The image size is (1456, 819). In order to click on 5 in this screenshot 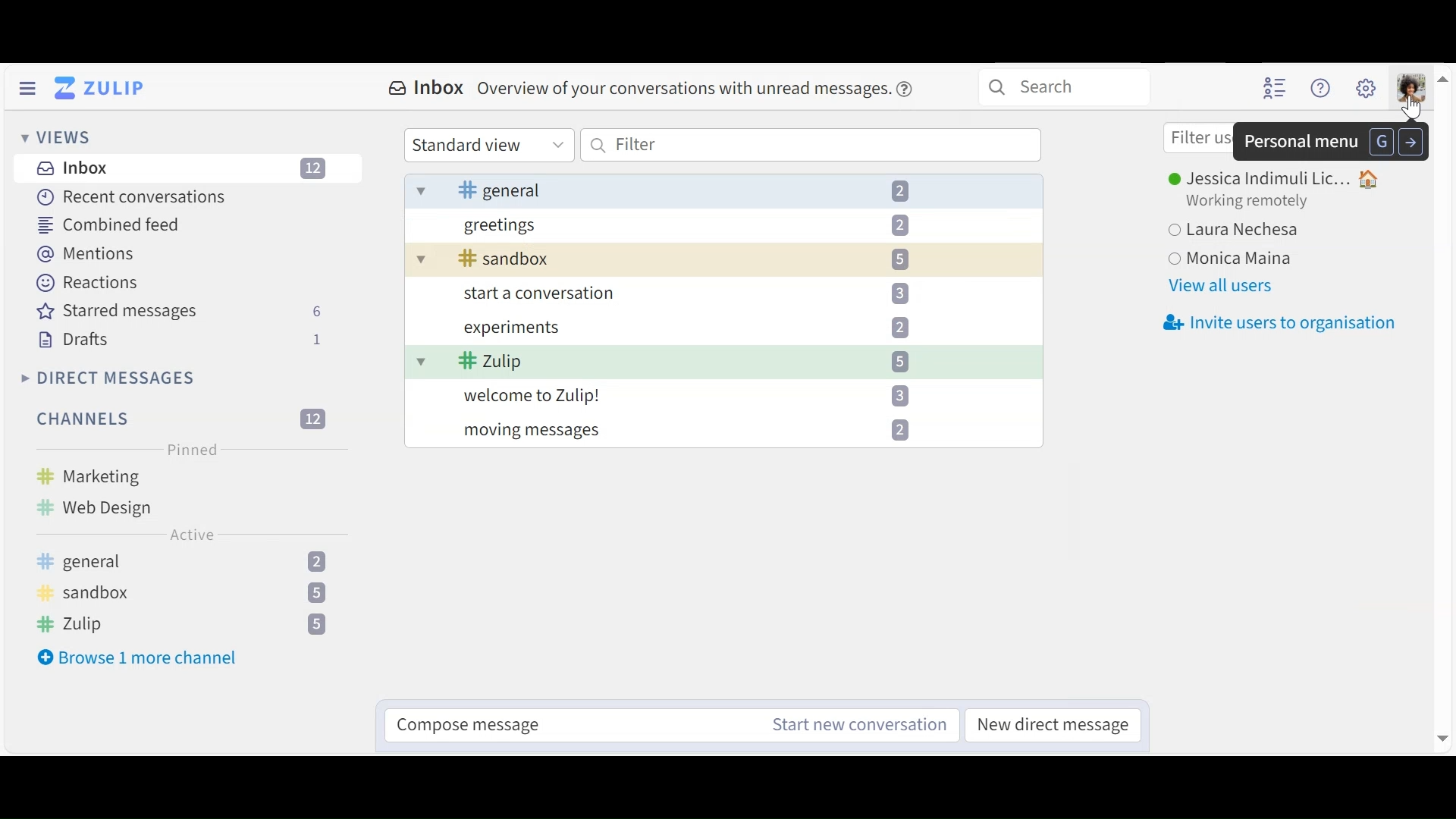, I will do `click(902, 362)`.